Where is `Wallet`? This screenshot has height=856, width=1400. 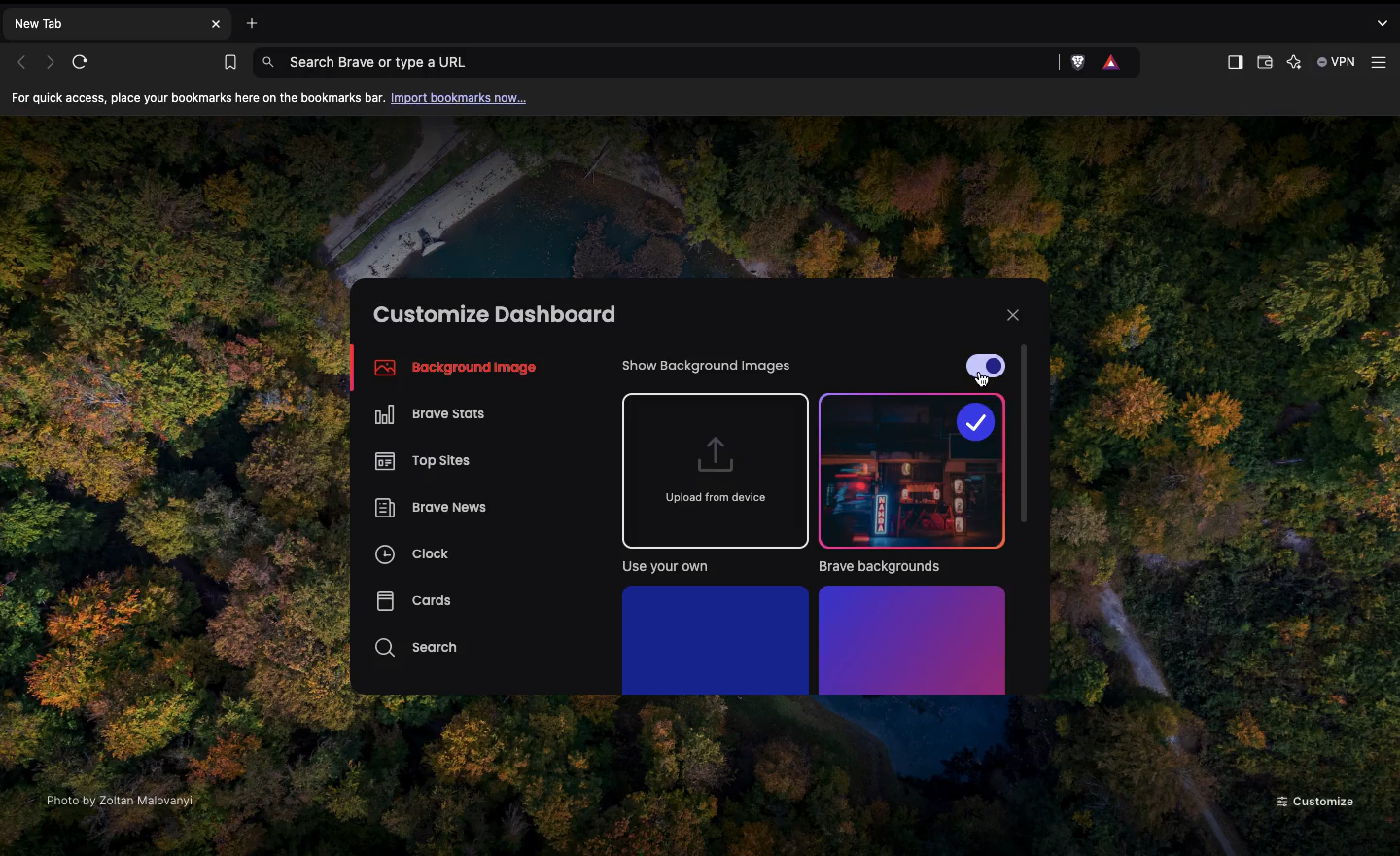
Wallet is located at coordinates (1263, 65).